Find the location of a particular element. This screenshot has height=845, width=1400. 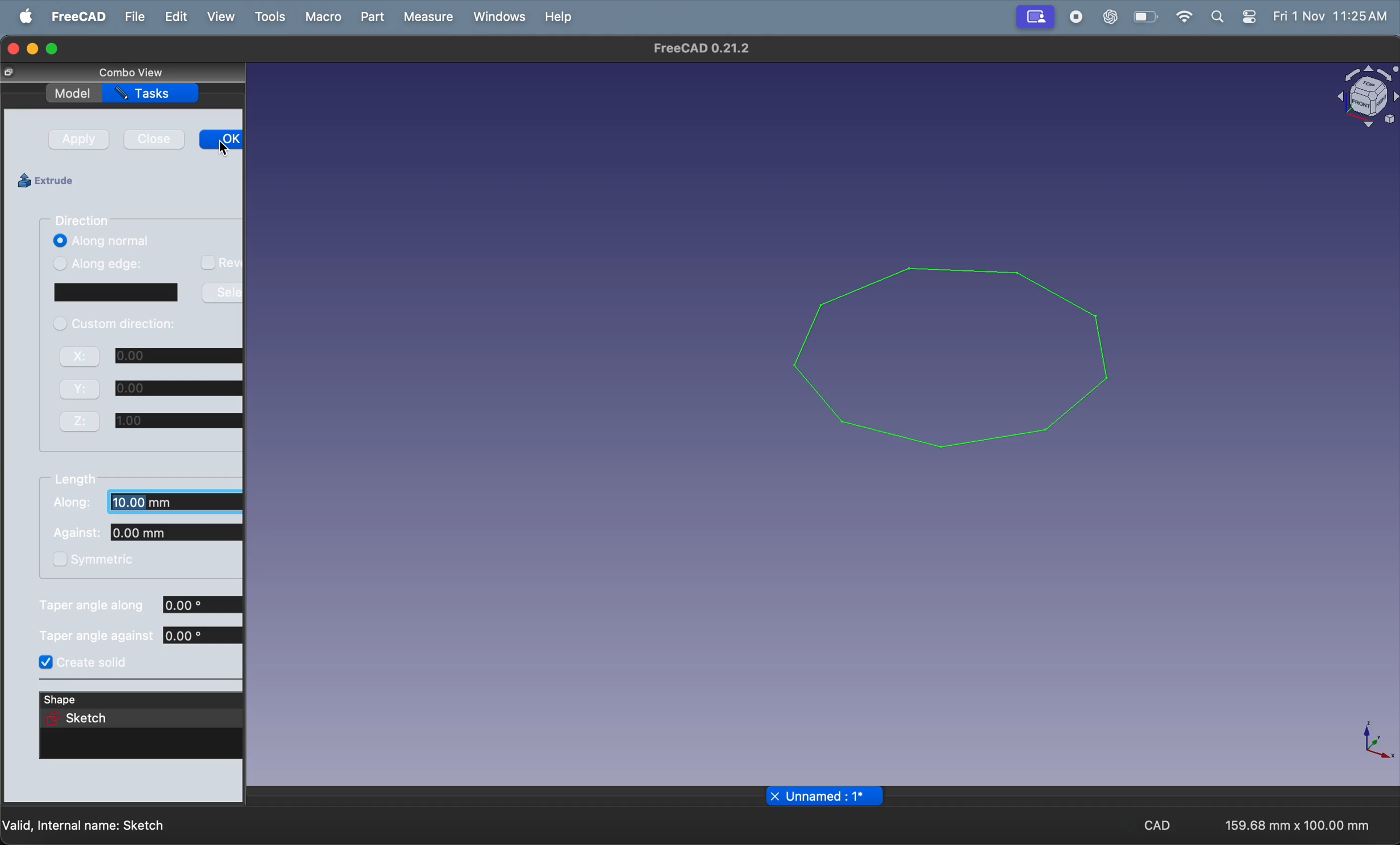

record is located at coordinates (1071, 17).